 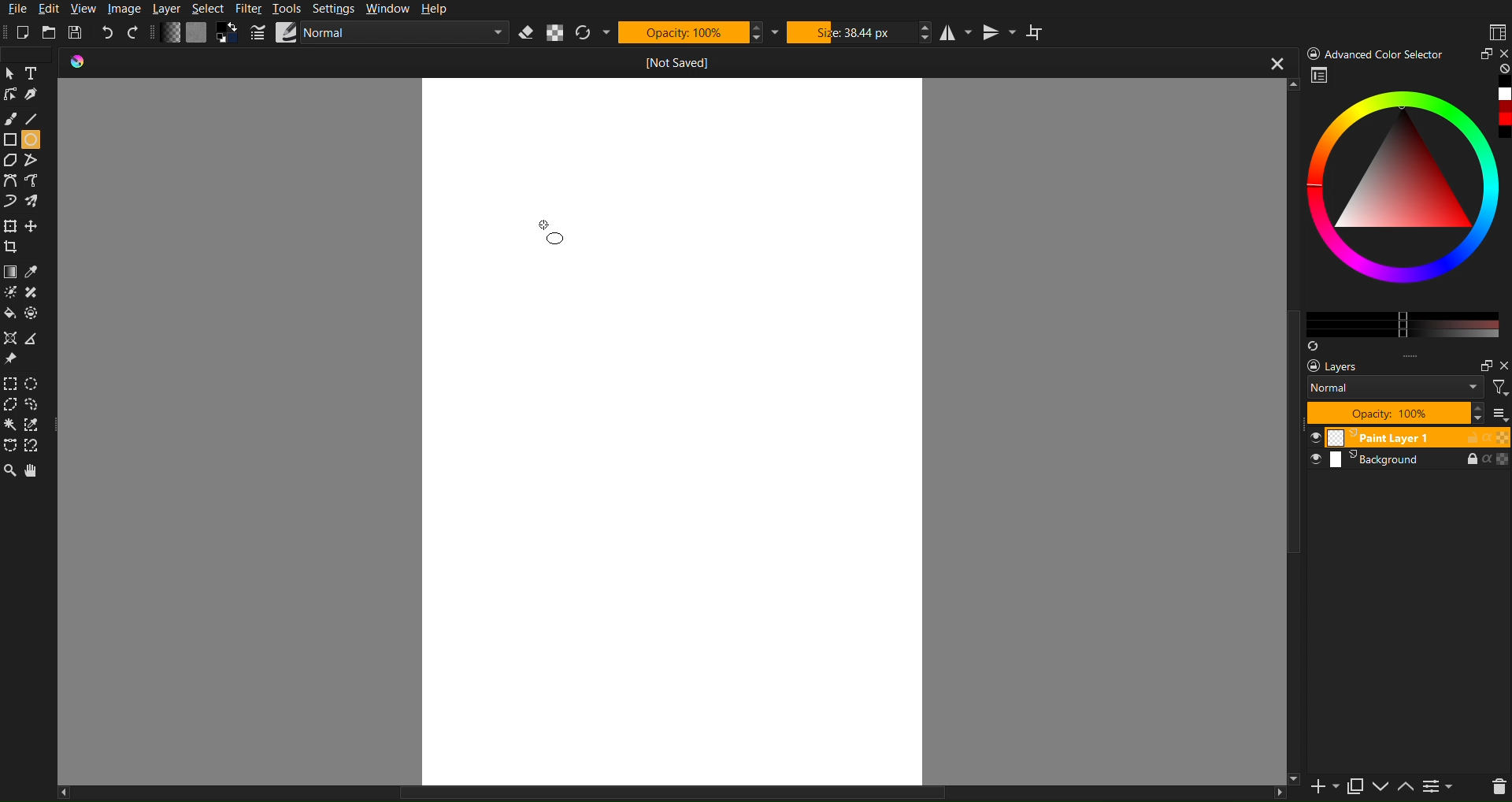 I want to click on Zoom , so click(x=9, y=470).